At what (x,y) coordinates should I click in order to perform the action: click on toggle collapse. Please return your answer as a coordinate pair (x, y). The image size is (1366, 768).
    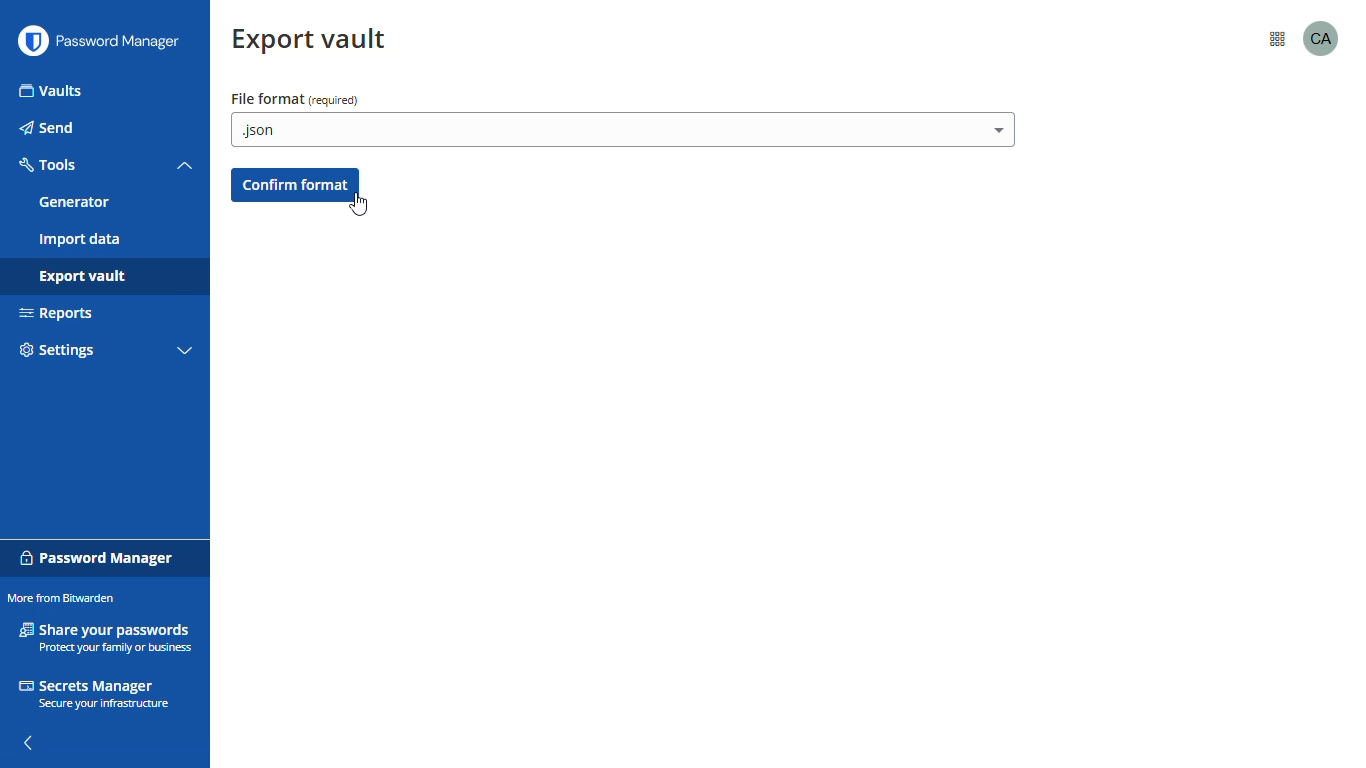
    Looking at the image, I should click on (185, 166).